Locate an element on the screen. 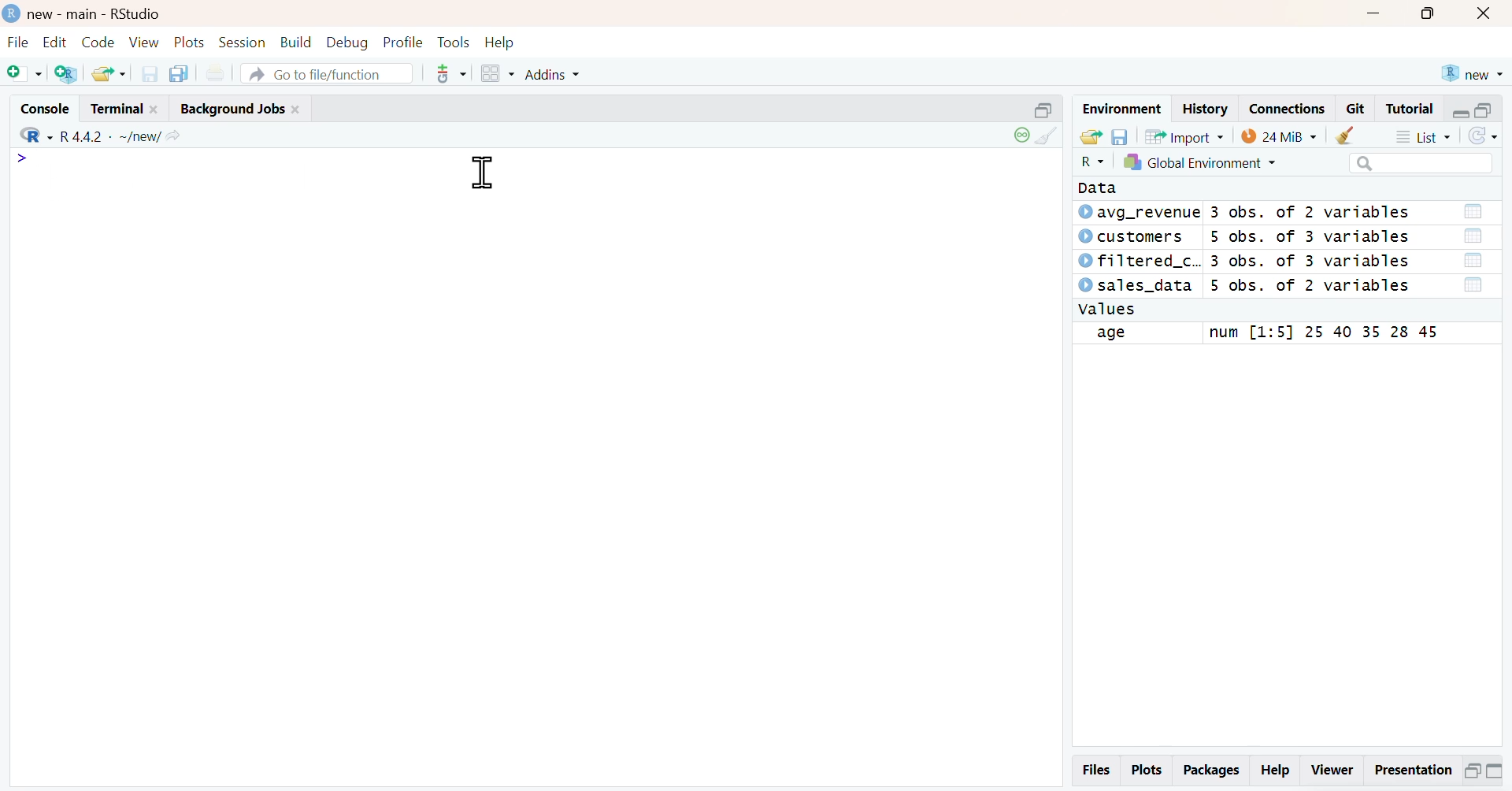 The width and height of the screenshot is (1512, 791). Build is located at coordinates (298, 43).